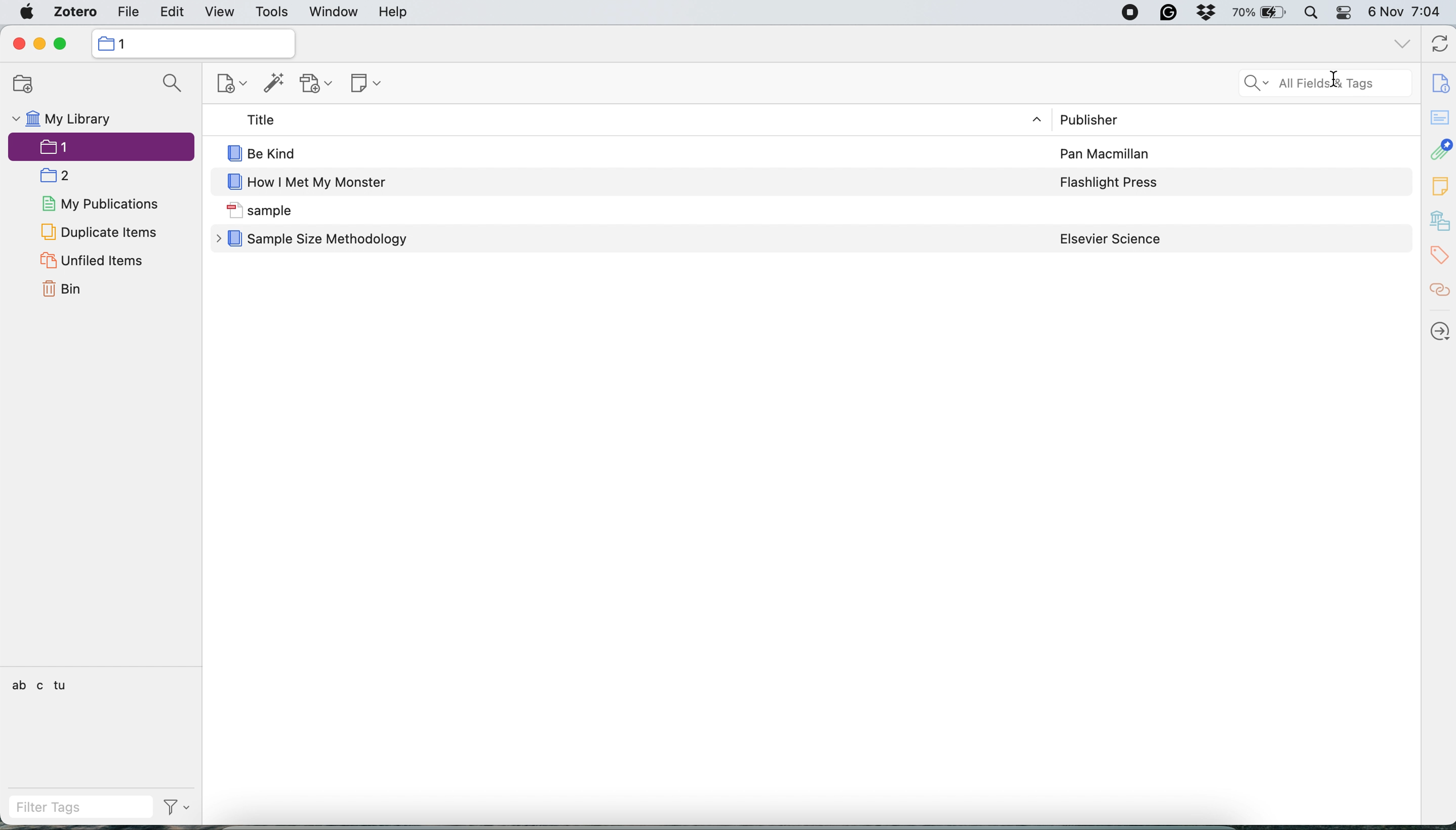 The image size is (1456, 830). What do you see at coordinates (1111, 239) in the screenshot?
I see `Elsevier Science` at bounding box center [1111, 239].